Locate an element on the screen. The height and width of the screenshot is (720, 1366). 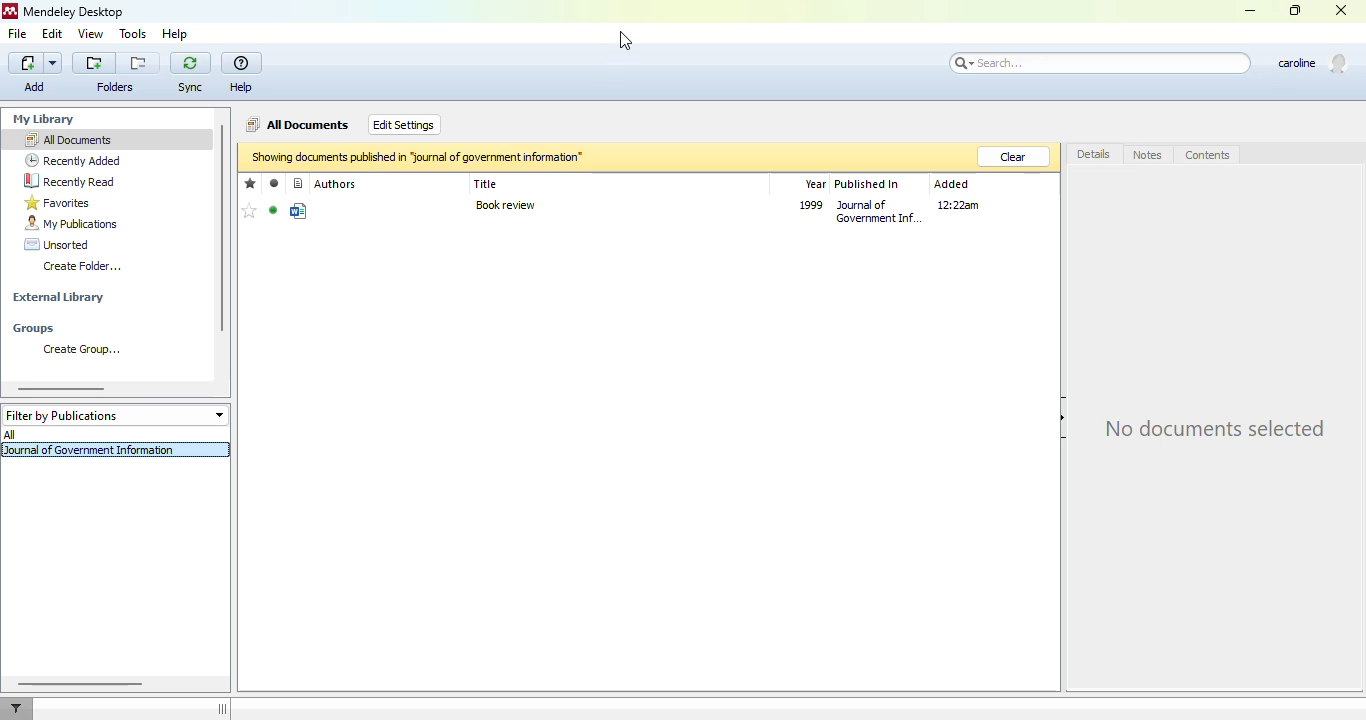
filter by publications is located at coordinates (114, 414).